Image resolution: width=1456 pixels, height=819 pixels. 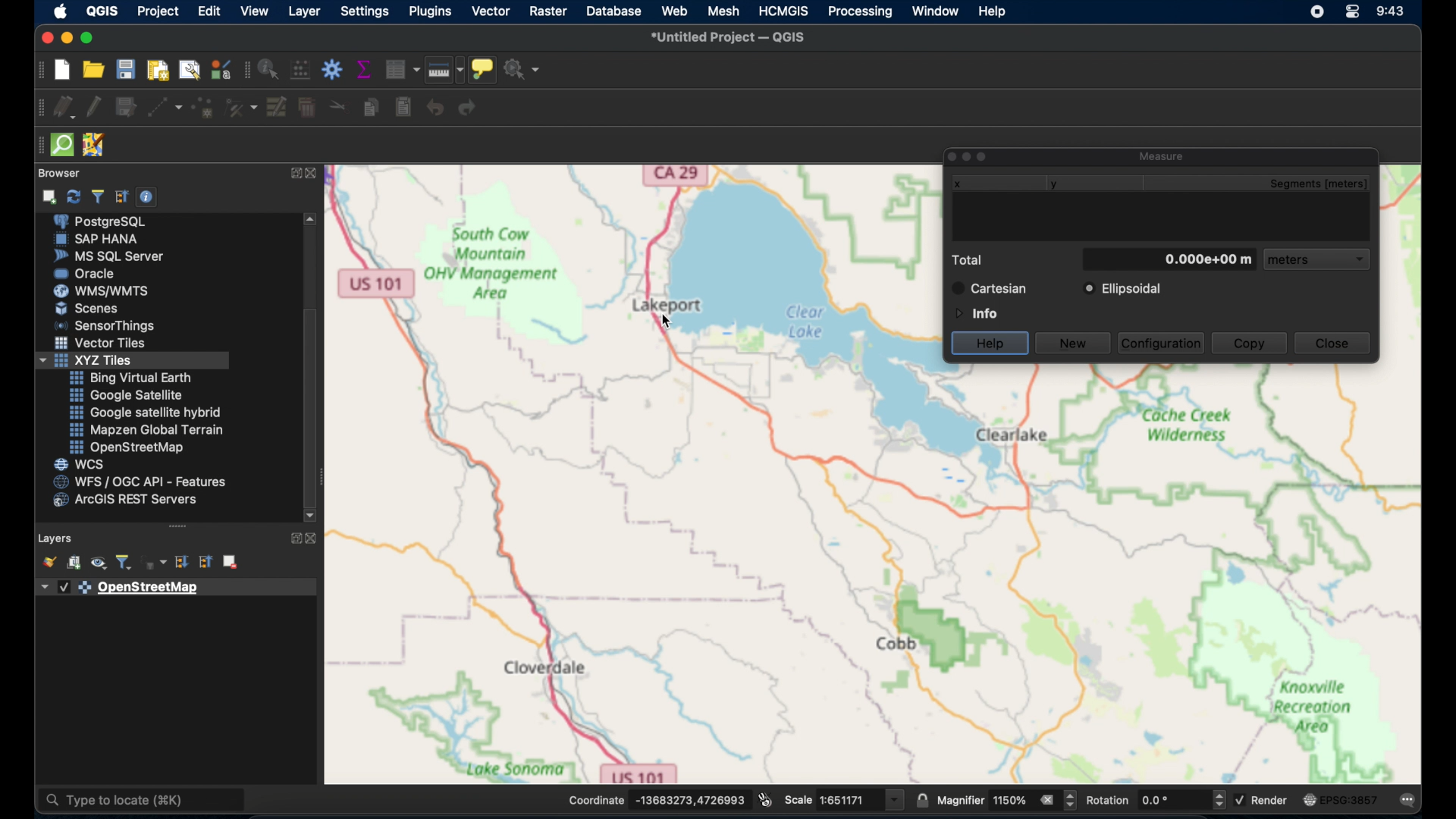 I want to click on attributes. toolbar, so click(x=245, y=71).